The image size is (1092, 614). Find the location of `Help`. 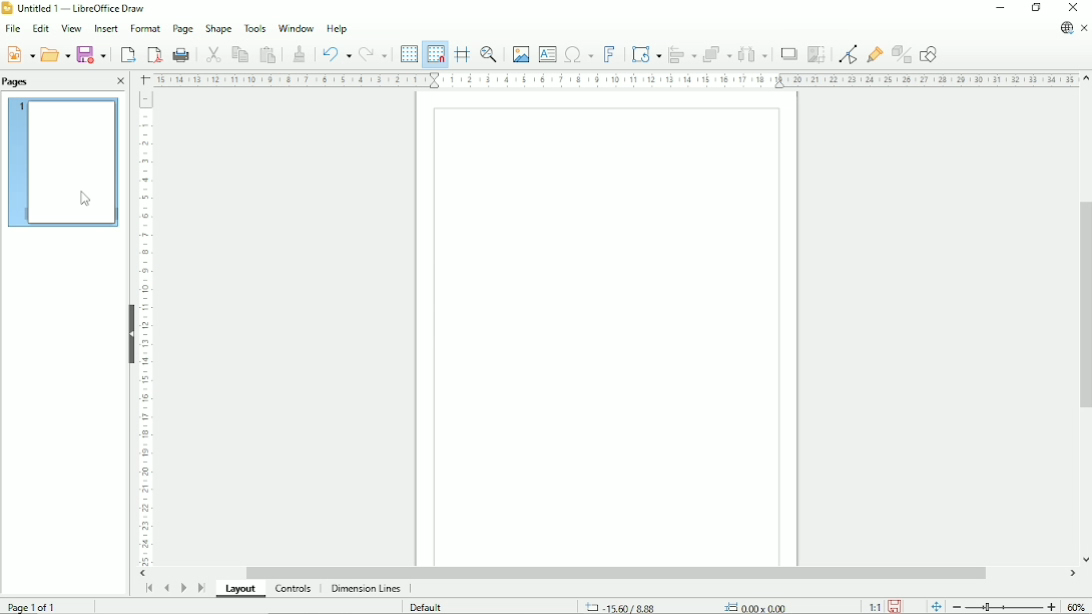

Help is located at coordinates (337, 28).